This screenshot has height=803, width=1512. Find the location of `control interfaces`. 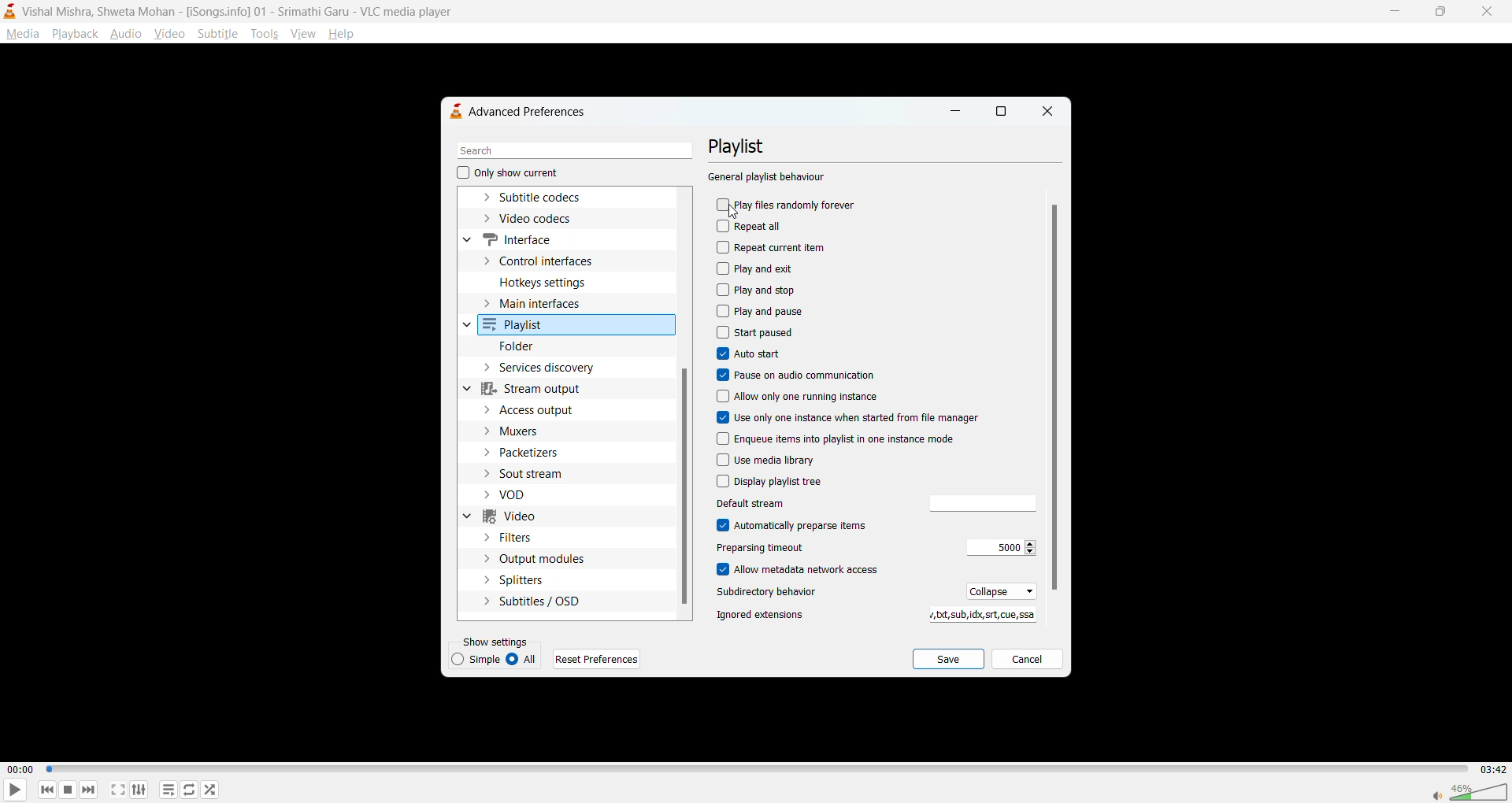

control interfaces is located at coordinates (547, 260).